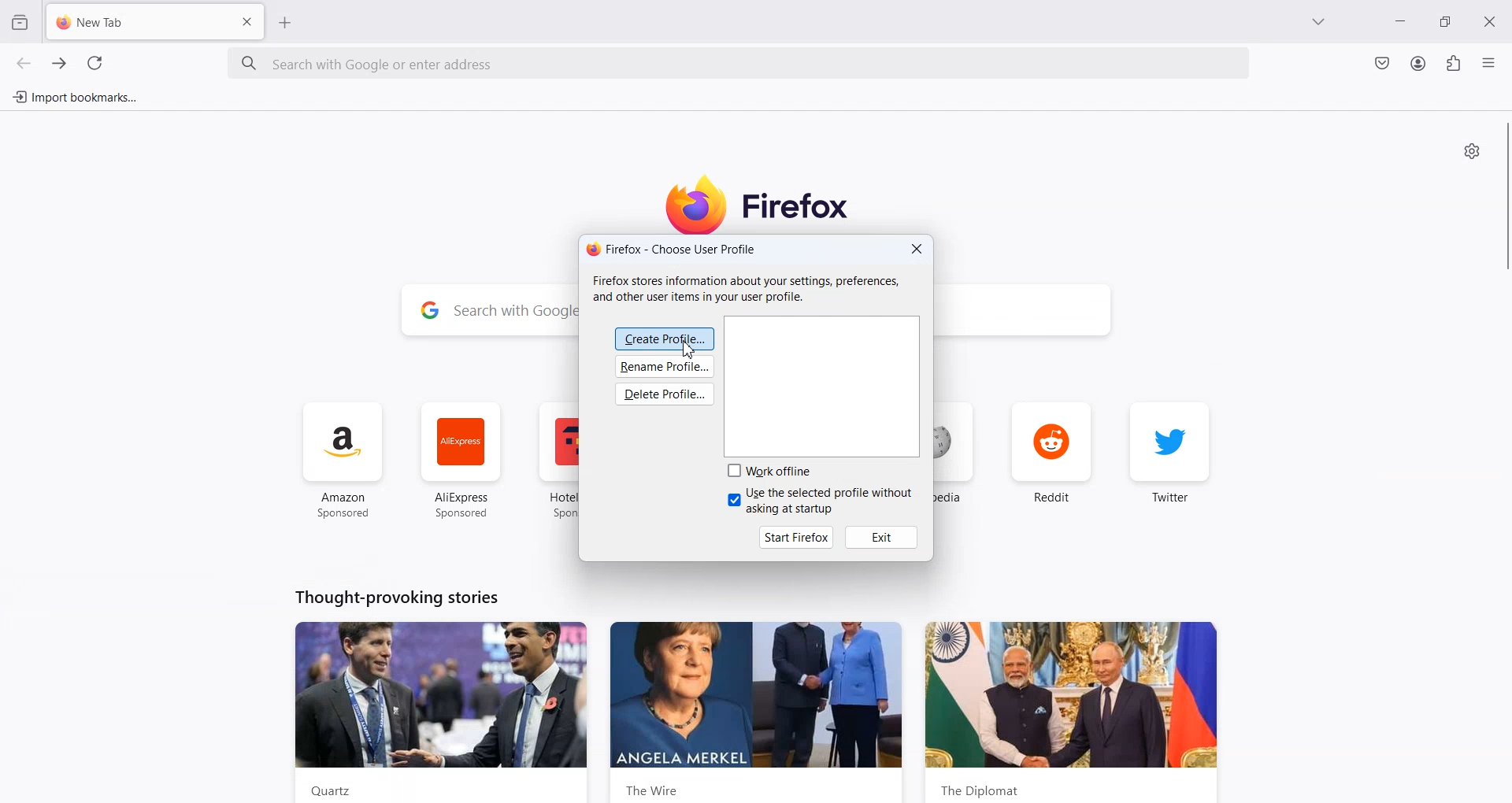 This screenshot has width=1512, height=803. What do you see at coordinates (1402, 24) in the screenshot?
I see `Minimize` at bounding box center [1402, 24].